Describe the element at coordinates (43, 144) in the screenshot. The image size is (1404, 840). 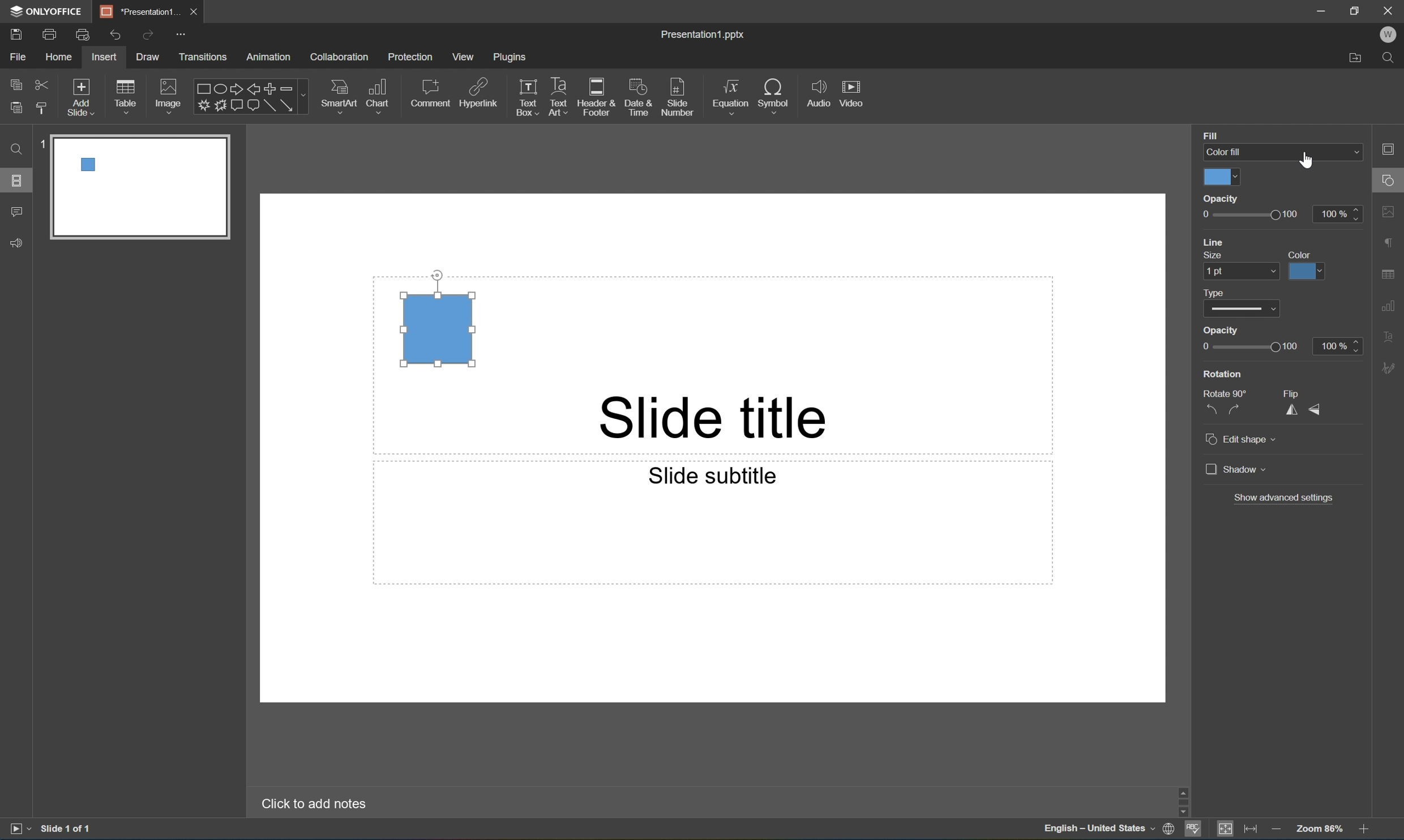
I see `1` at that location.